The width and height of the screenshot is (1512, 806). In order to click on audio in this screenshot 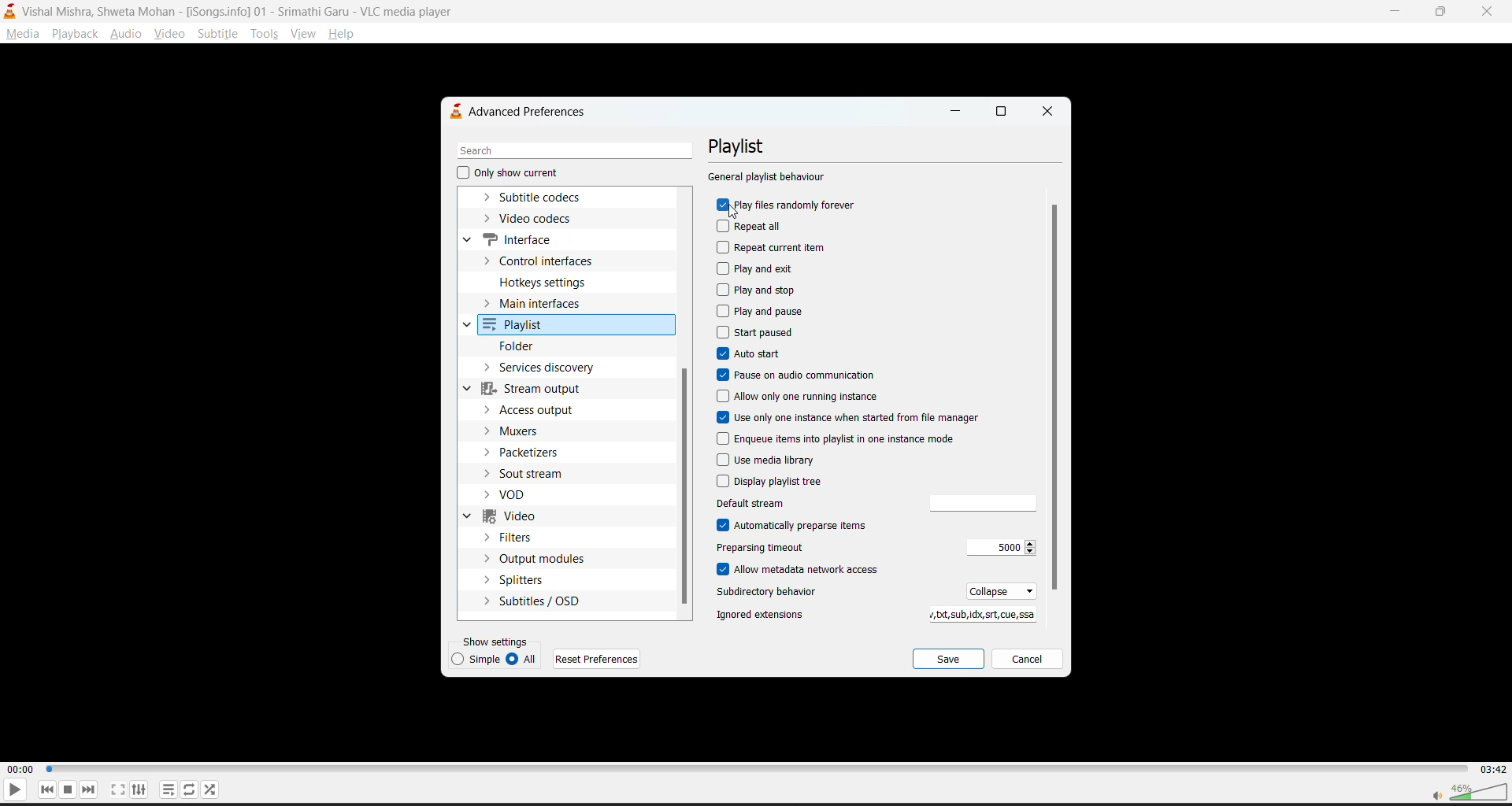, I will do `click(127, 35)`.